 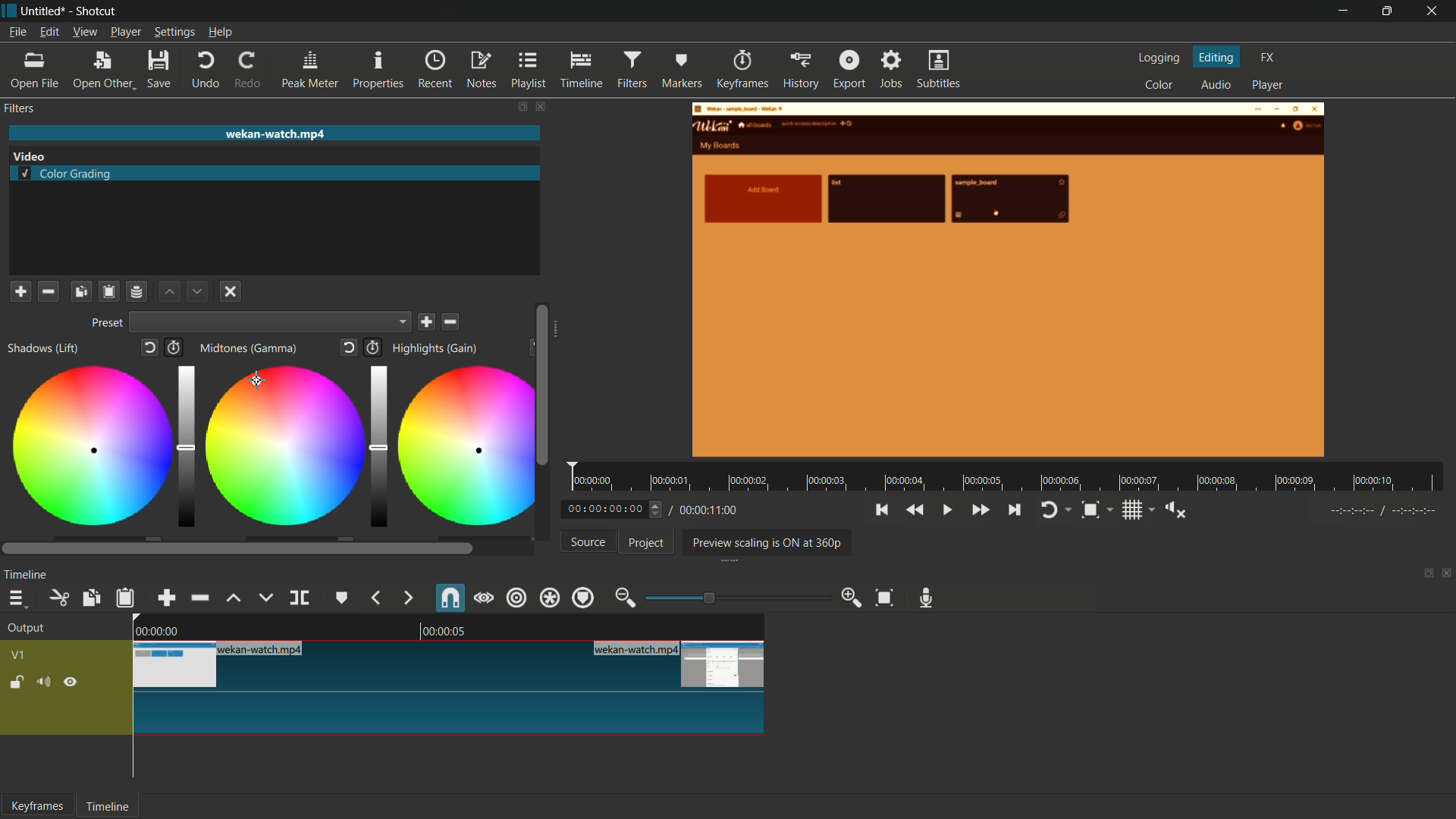 I want to click on timeline, so click(x=26, y=576).